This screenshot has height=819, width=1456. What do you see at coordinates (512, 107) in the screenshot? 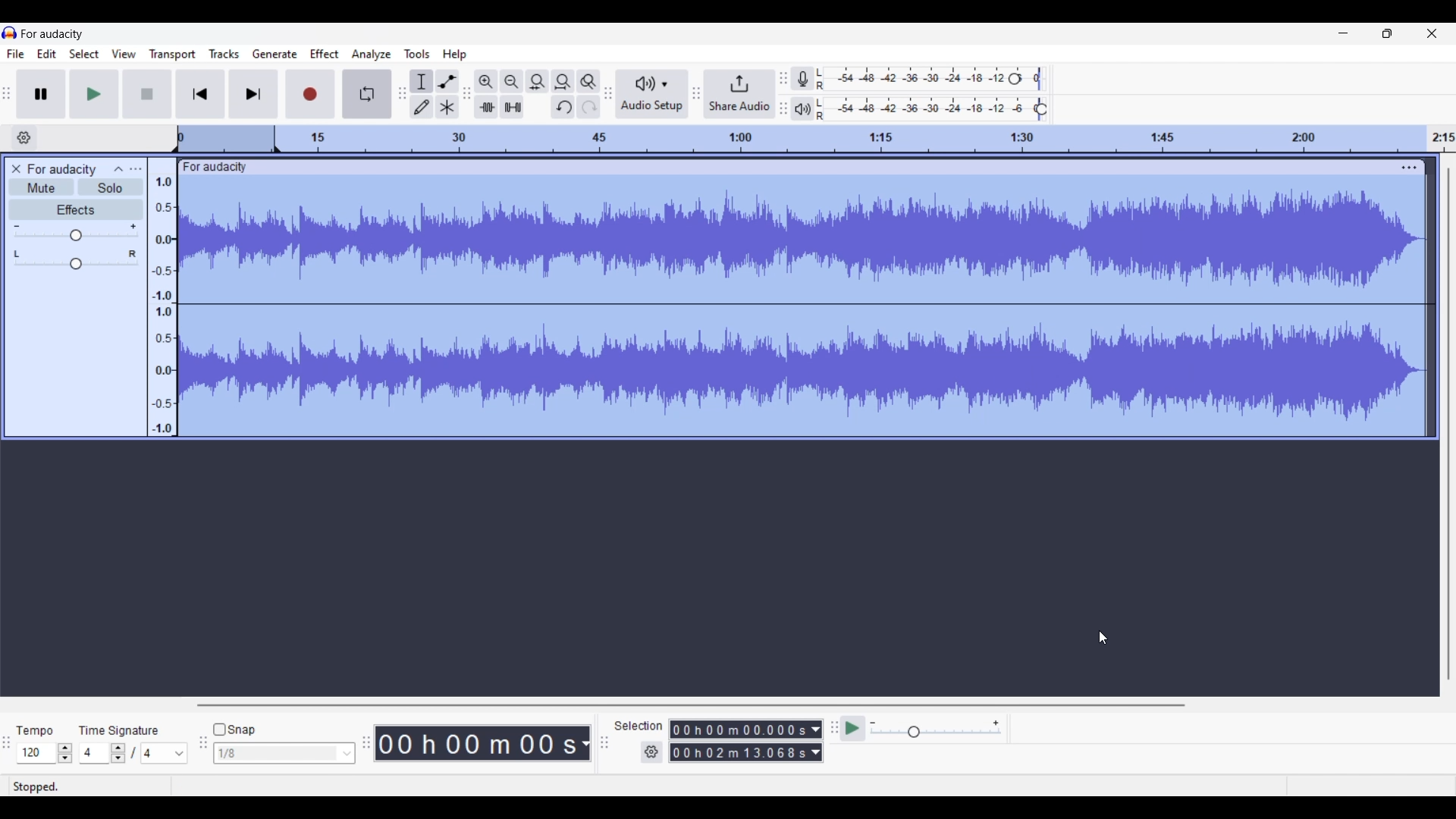
I see `Silence audio selection` at bounding box center [512, 107].